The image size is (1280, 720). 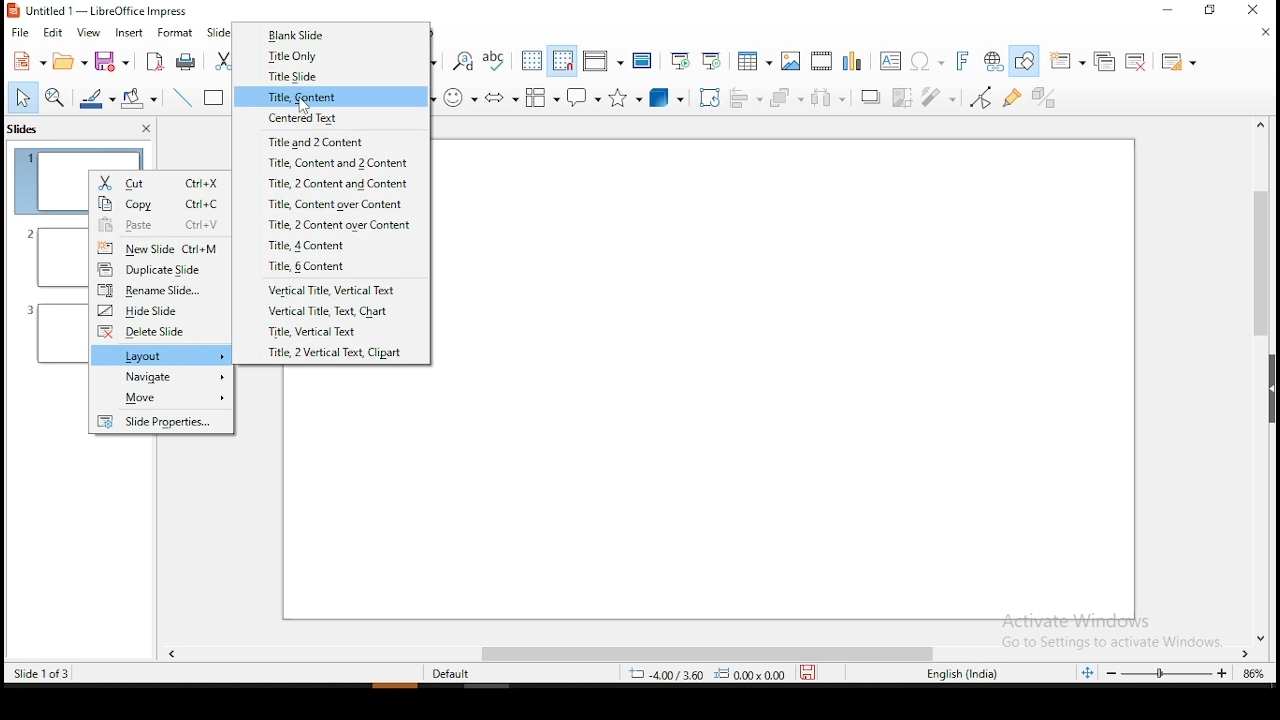 I want to click on stars and banners, so click(x=626, y=99).